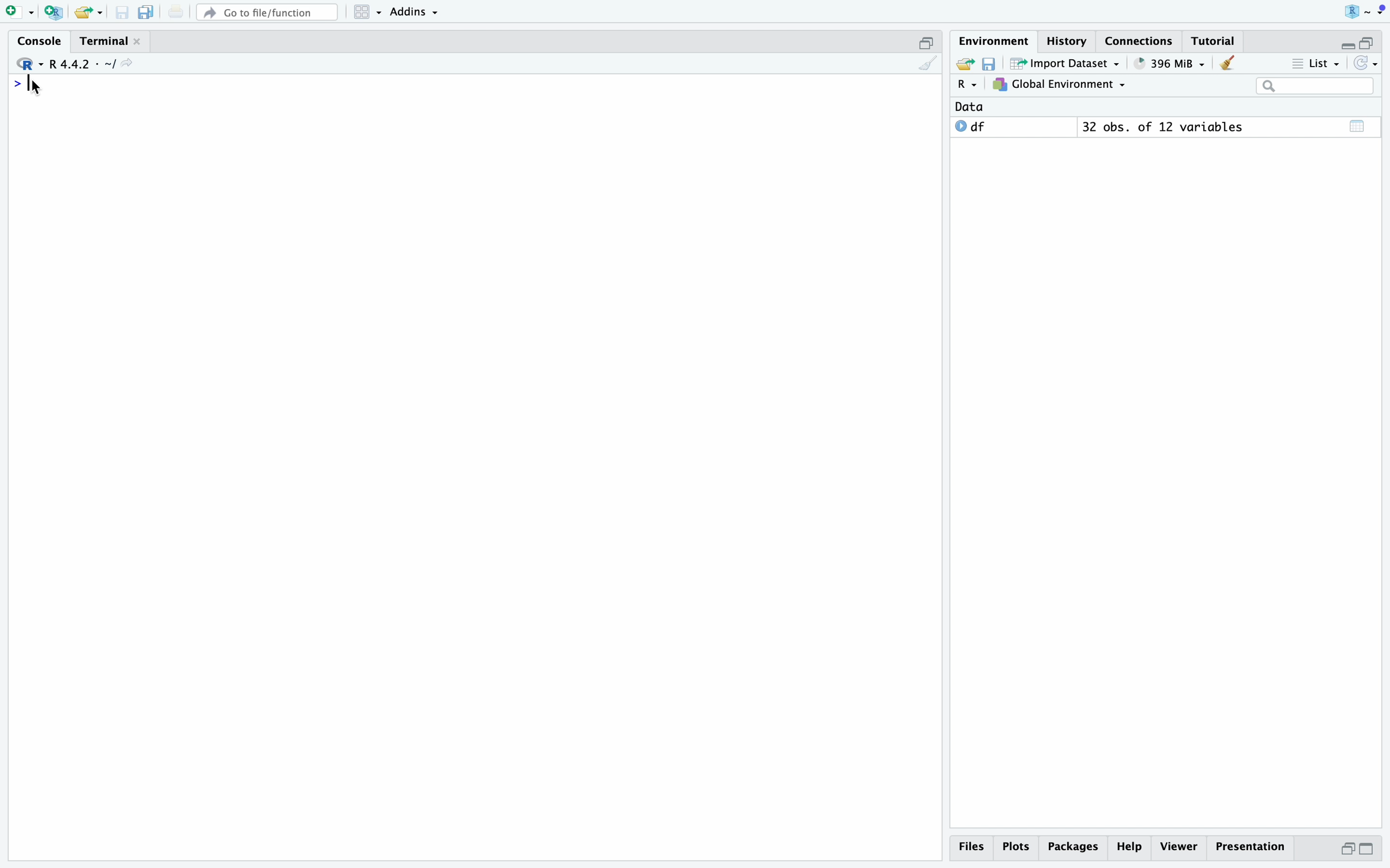 The image size is (1390, 868). I want to click on tutorial, so click(1215, 41).